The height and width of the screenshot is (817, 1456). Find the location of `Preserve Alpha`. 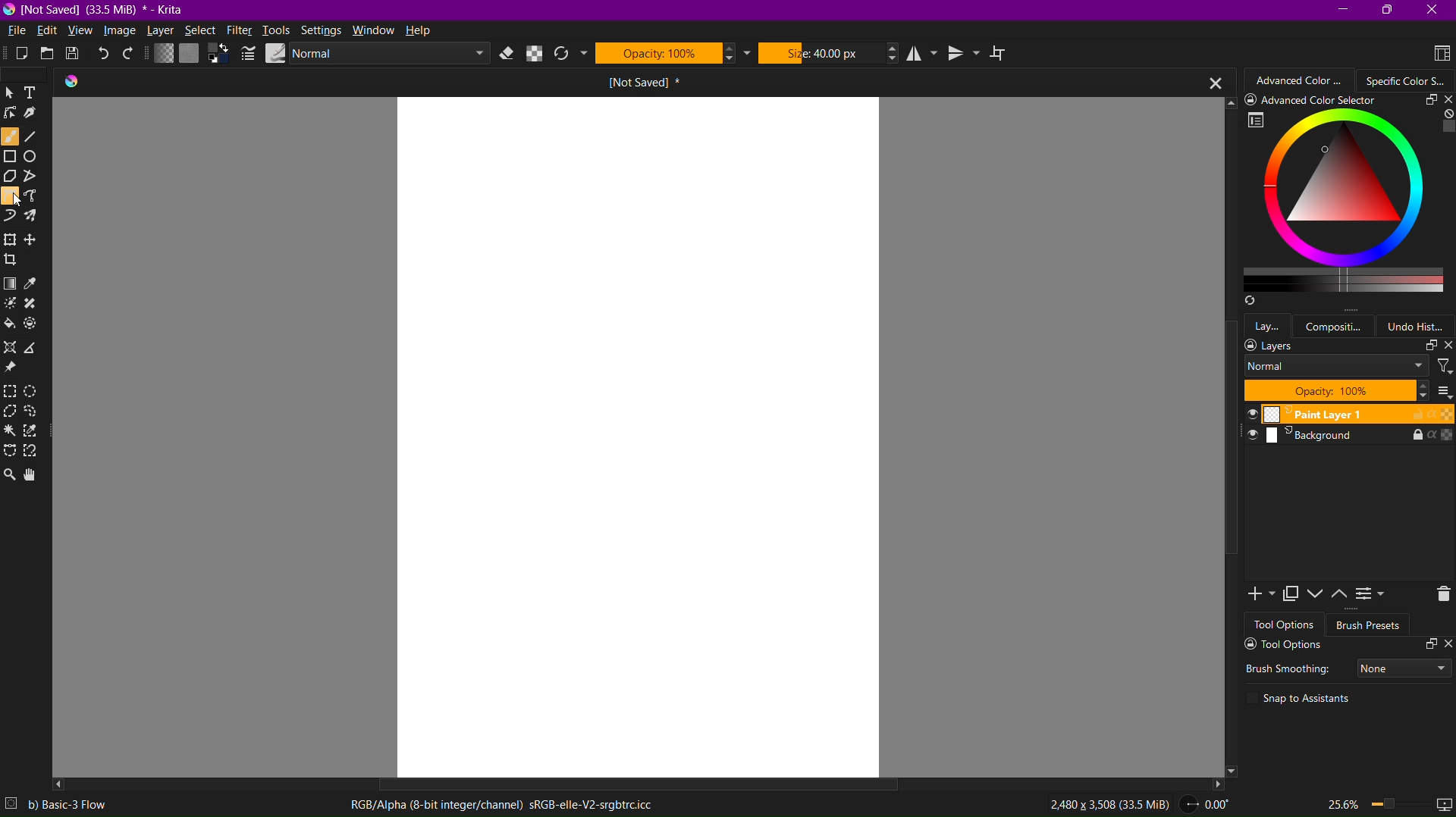

Preserve Alpha is located at coordinates (535, 54).